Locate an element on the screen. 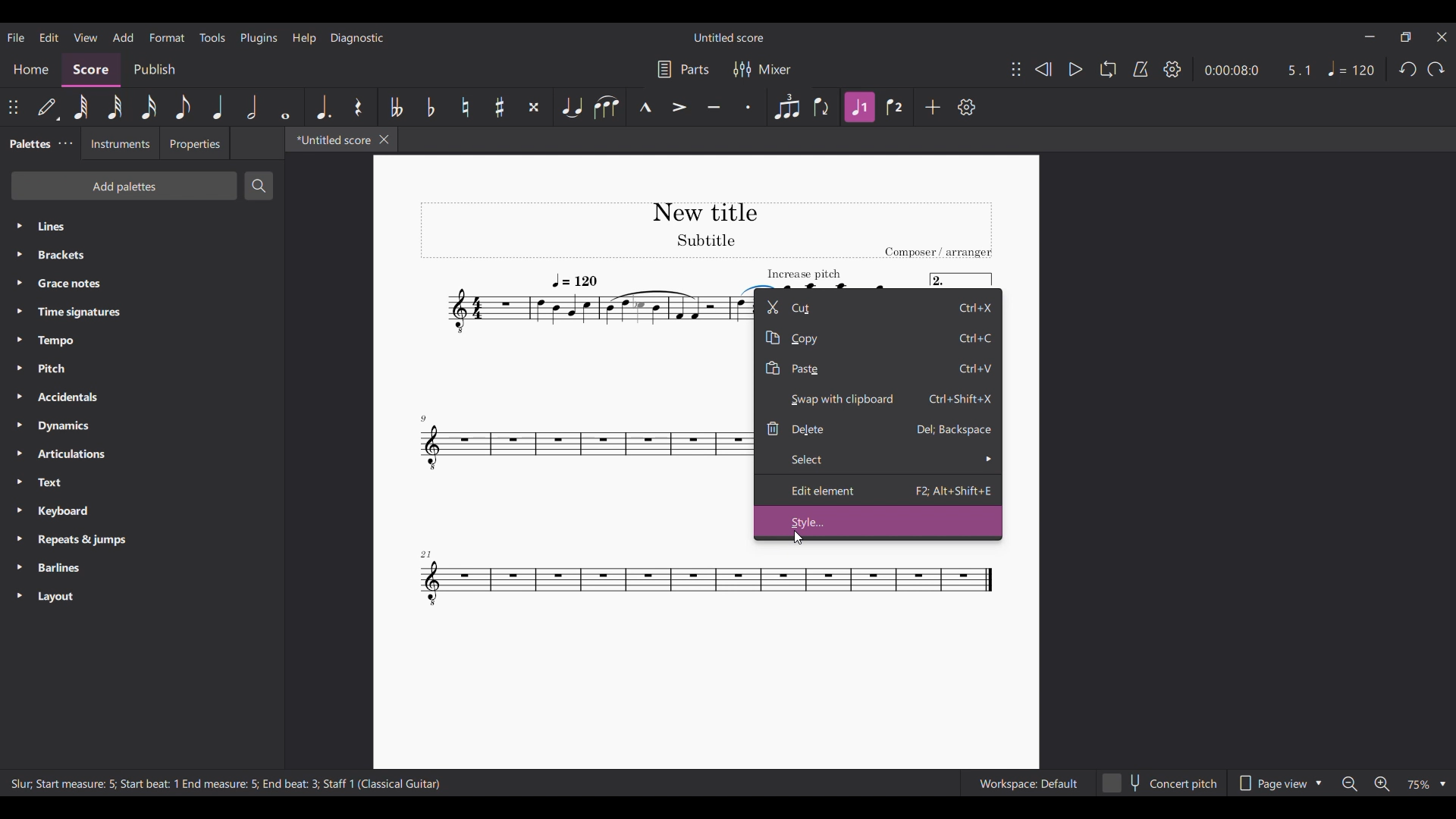 The image size is (1456, 819). Change position is located at coordinates (14, 107).